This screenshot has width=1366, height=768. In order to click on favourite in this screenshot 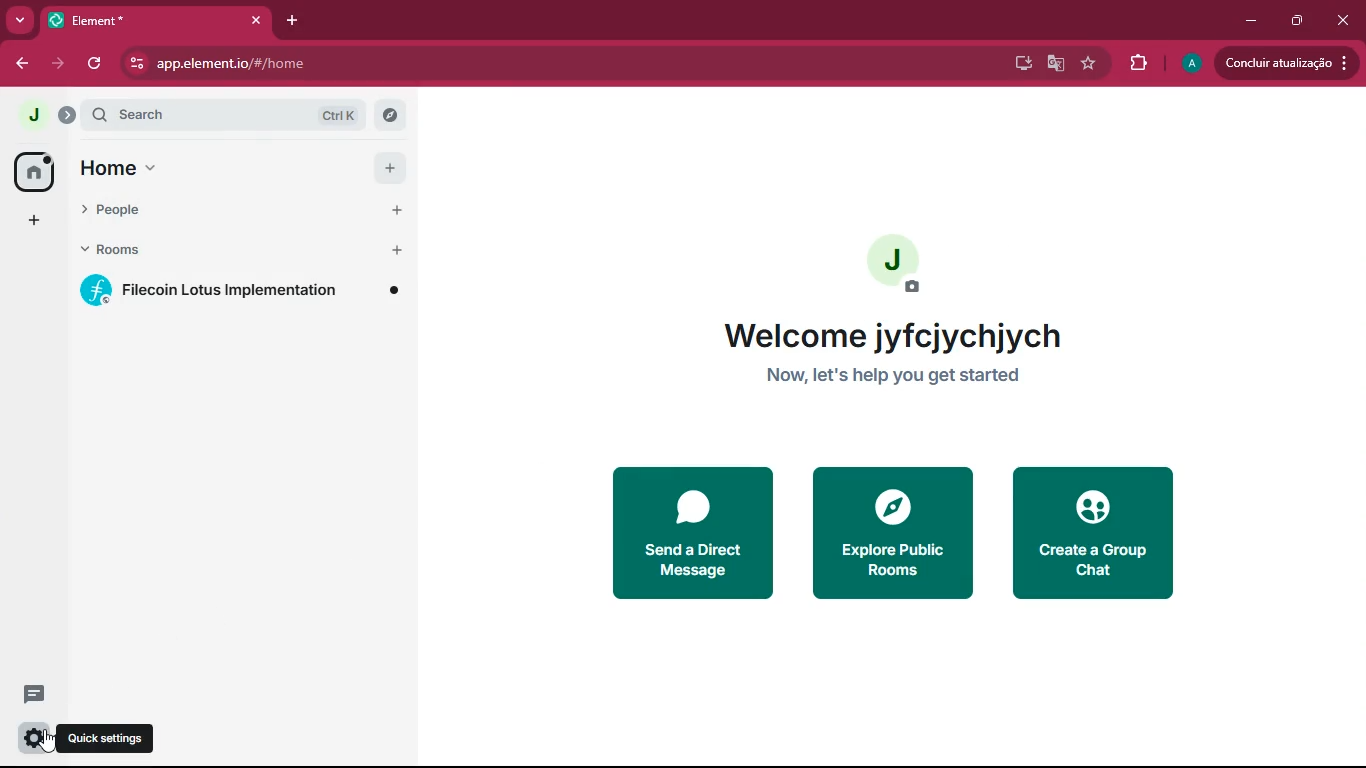, I will do `click(1089, 64)`.